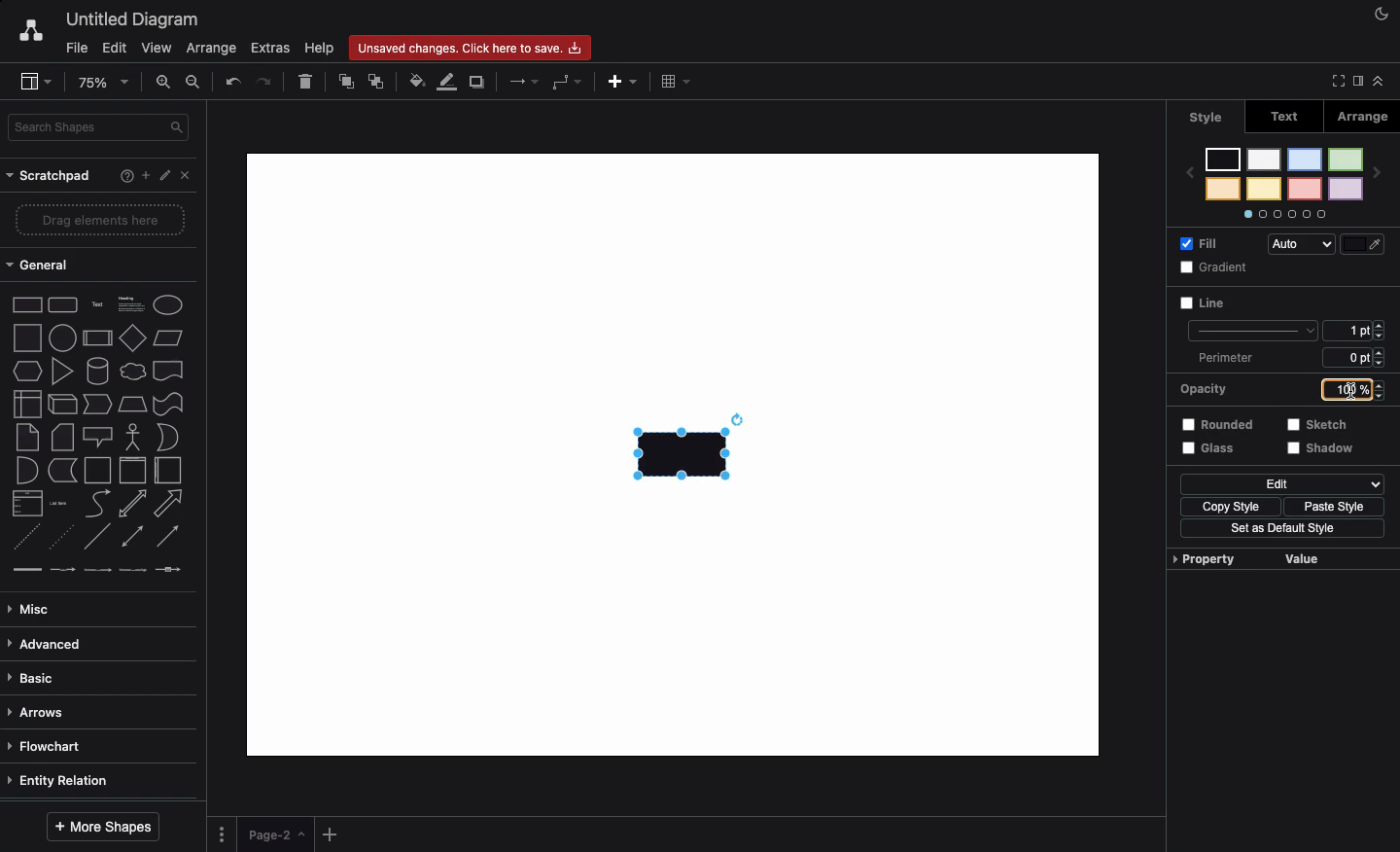  What do you see at coordinates (133, 505) in the screenshot?
I see `bidirectional arrow` at bounding box center [133, 505].